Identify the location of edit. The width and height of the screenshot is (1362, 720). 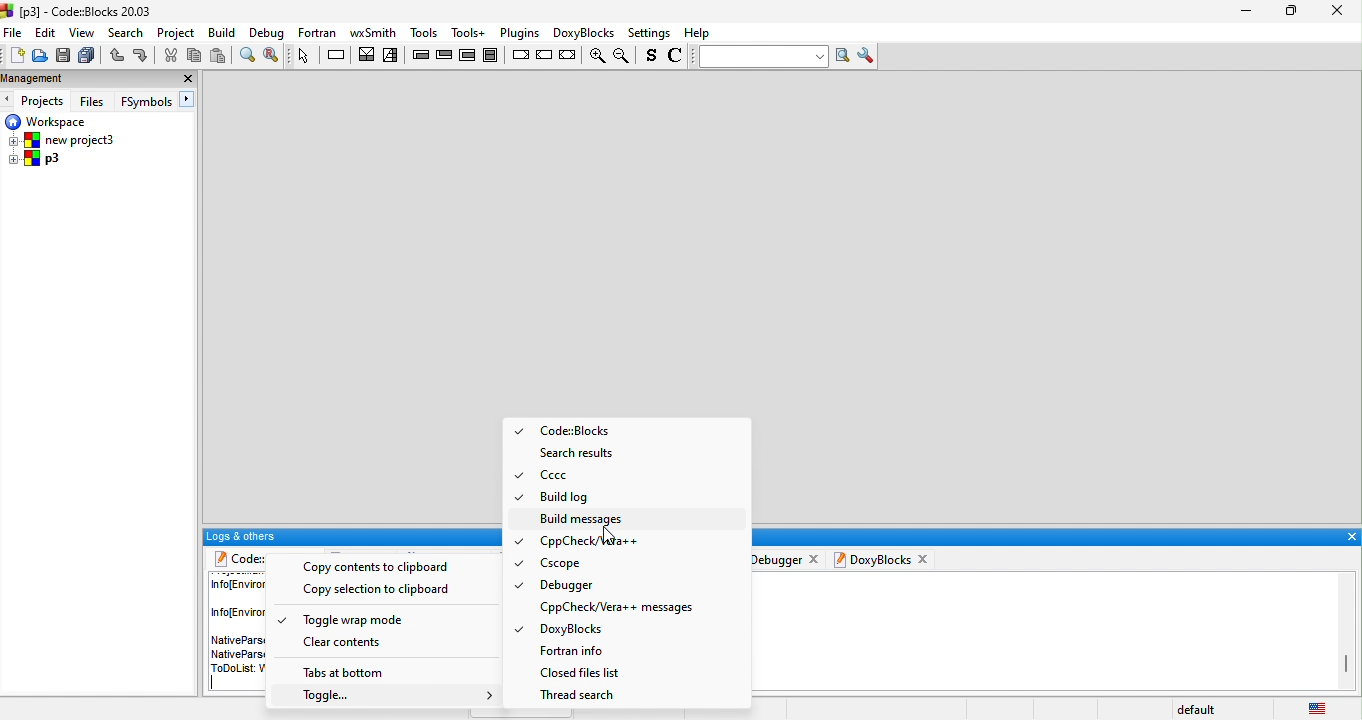
(46, 33).